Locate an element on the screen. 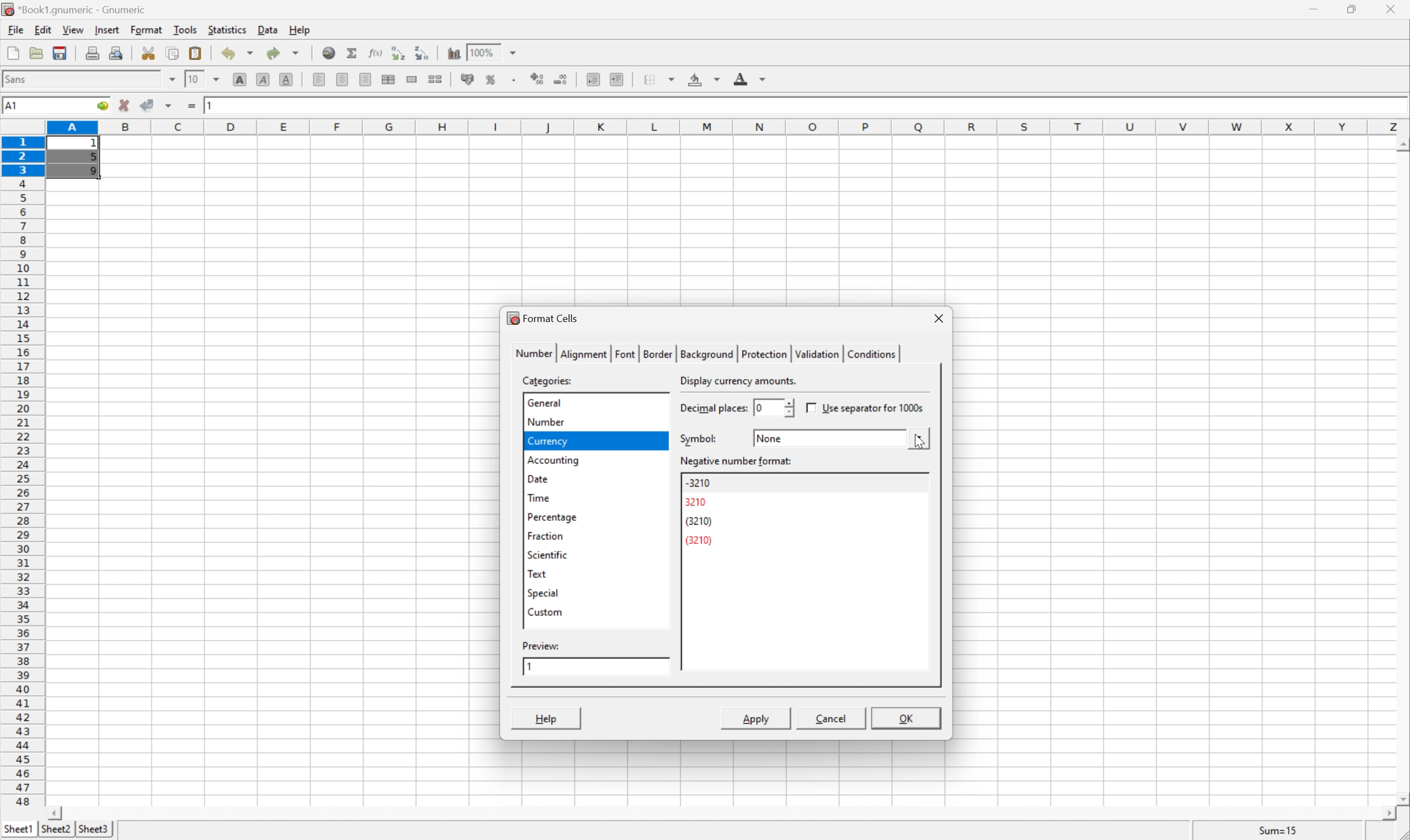  align left is located at coordinates (320, 79).